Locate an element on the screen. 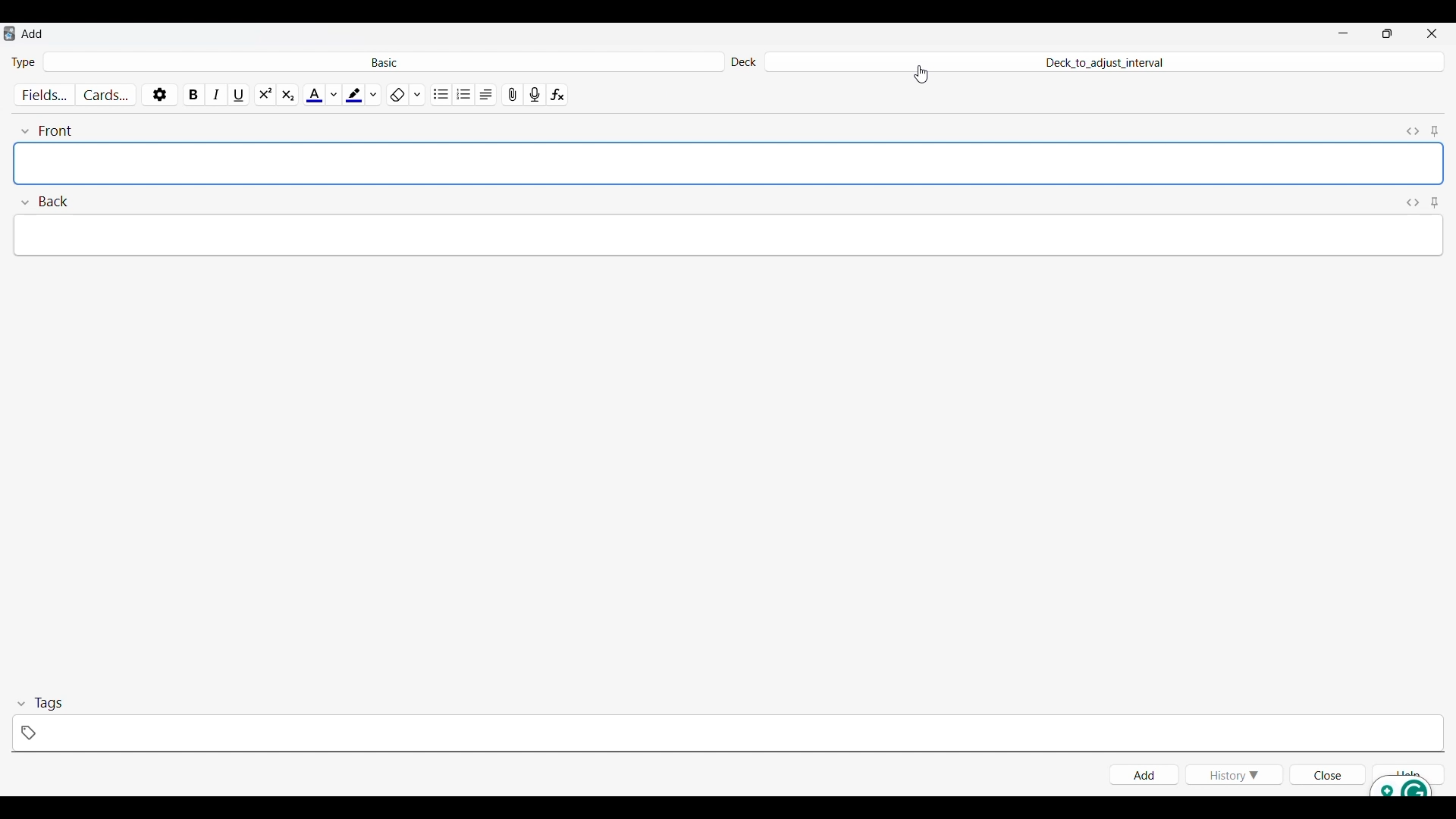 The width and height of the screenshot is (1456, 819). Click to select card type in deck is located at coordinates (384, 61).